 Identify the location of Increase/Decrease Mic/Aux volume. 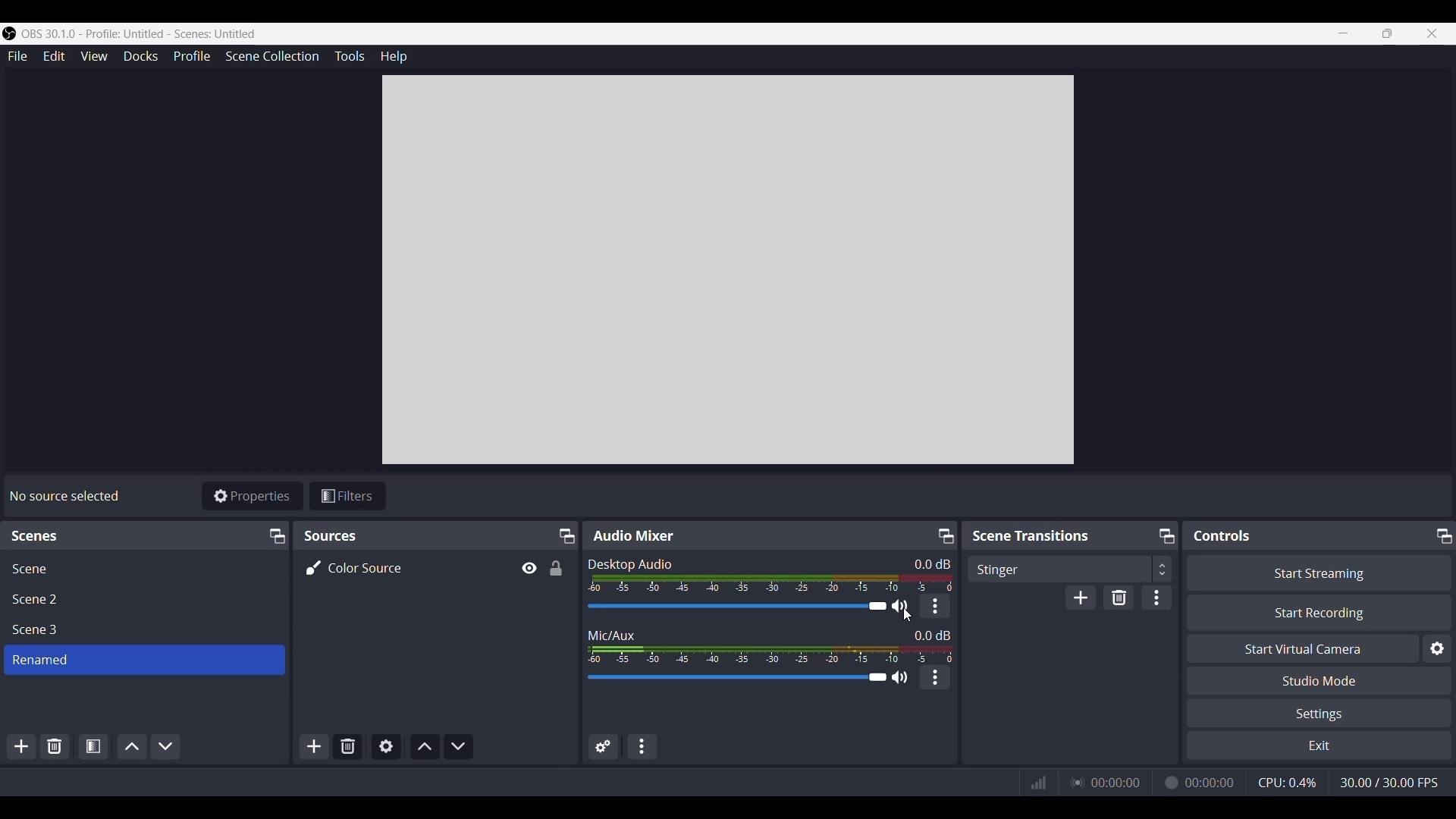
(736, 676).